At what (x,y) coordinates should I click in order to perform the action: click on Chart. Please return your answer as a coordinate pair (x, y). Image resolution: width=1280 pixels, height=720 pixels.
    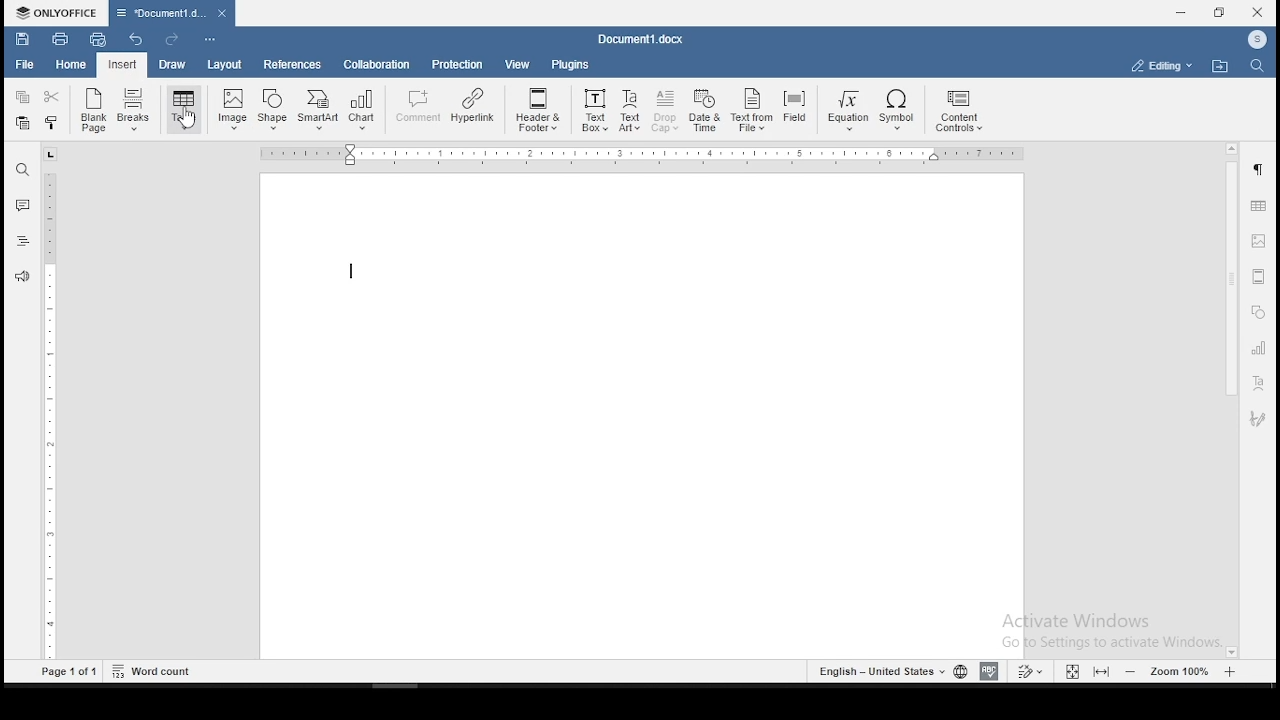
    Looking at the image, I should click on (361, 112).